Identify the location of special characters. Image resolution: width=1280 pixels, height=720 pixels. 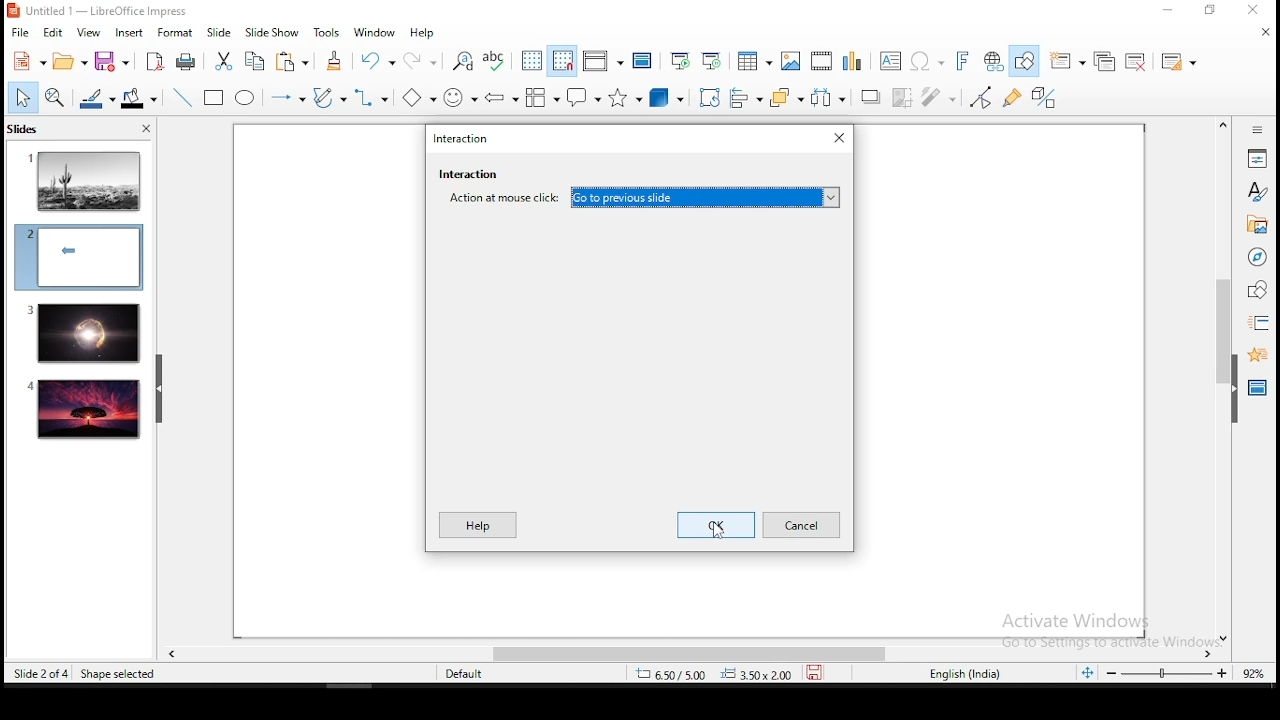
(924, 62).